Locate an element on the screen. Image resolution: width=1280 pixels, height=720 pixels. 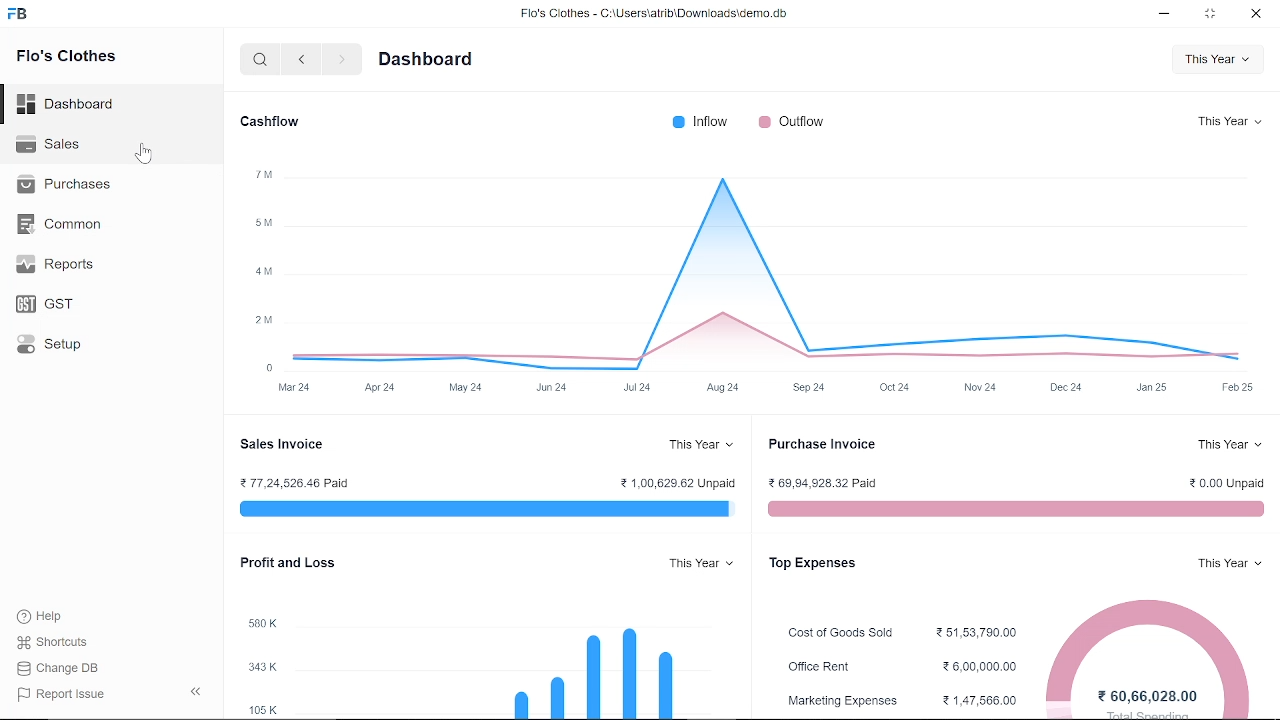
close is located at coordinates (1254, 15).